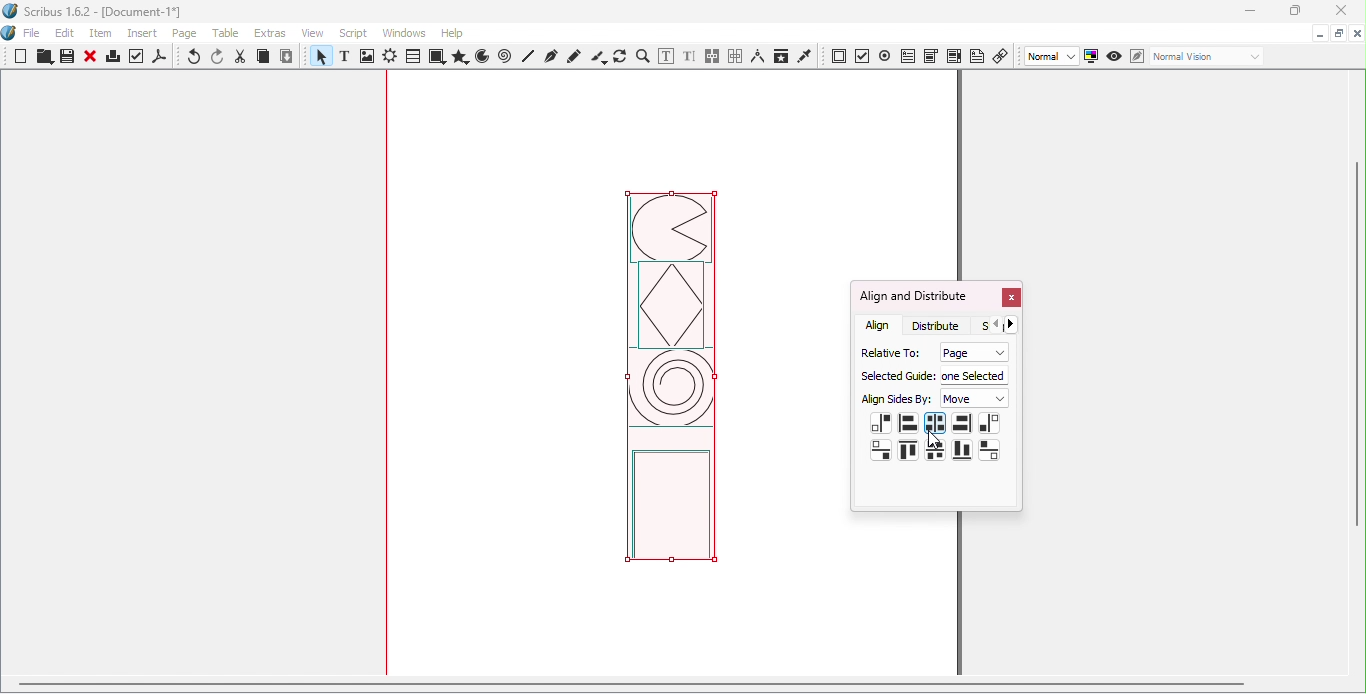 Image resolution: width=1366 pixels, height=694 pixels. Describe the element at coordinates (263, 58) in the screenshot. I see `Copy` at that location.